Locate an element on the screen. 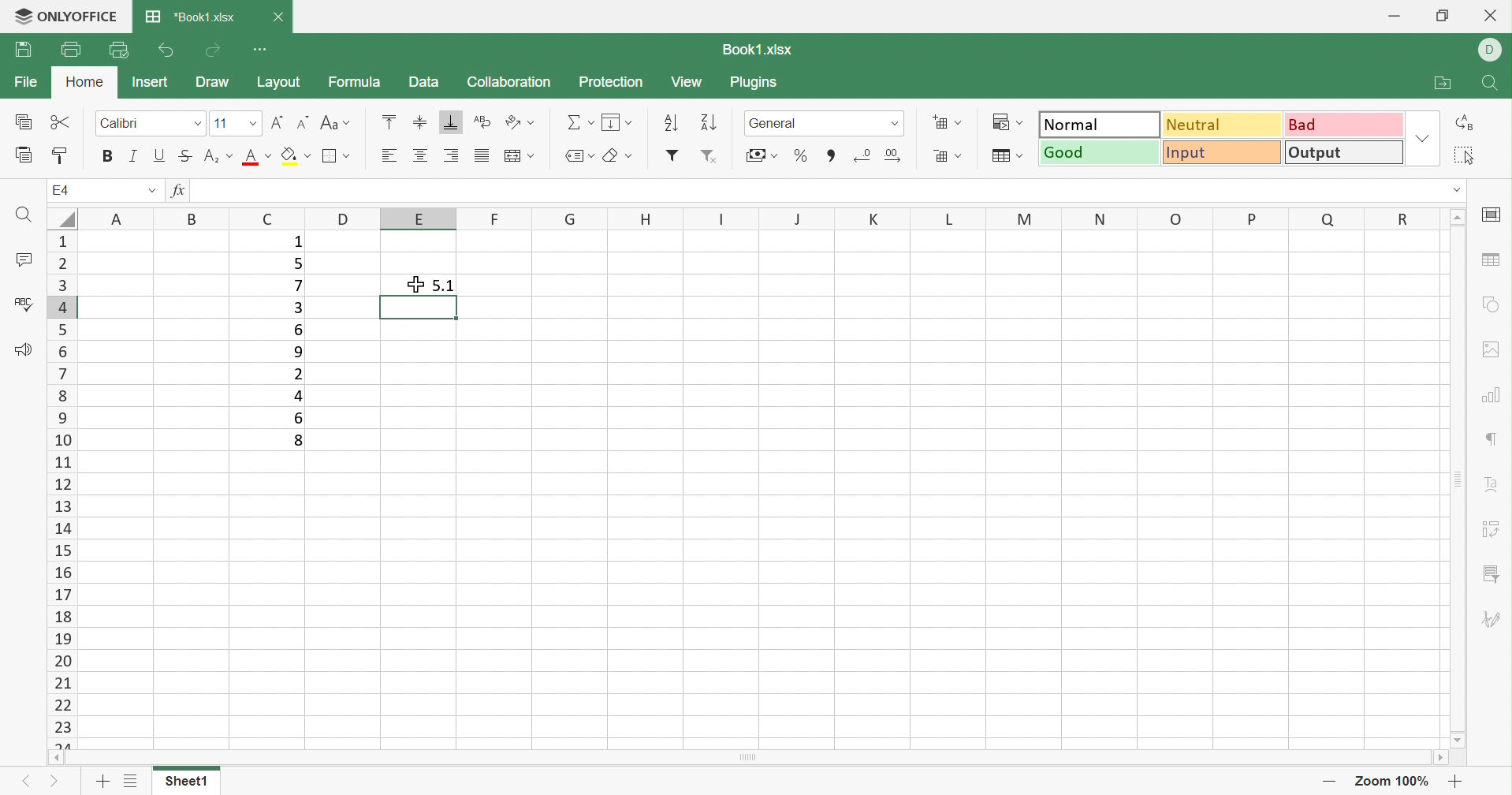 This screenshot has height=795, width=1512. Scroll Bar is located at coordinates (749, 757).